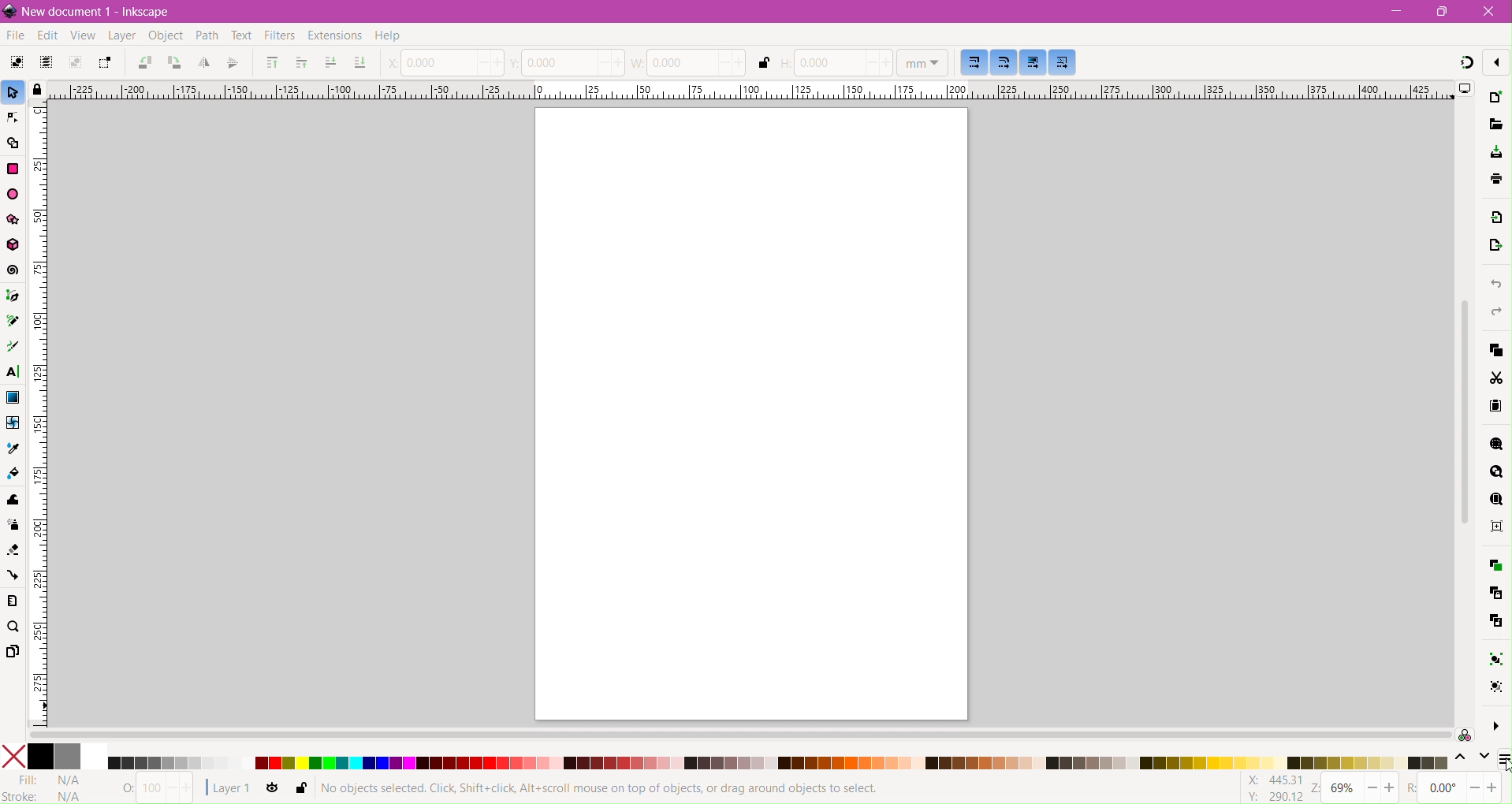  What do you see at coordinates (13, 473) in the screenshot?
I see `Paint Bucket Tool` at bounding box center [13, 473].